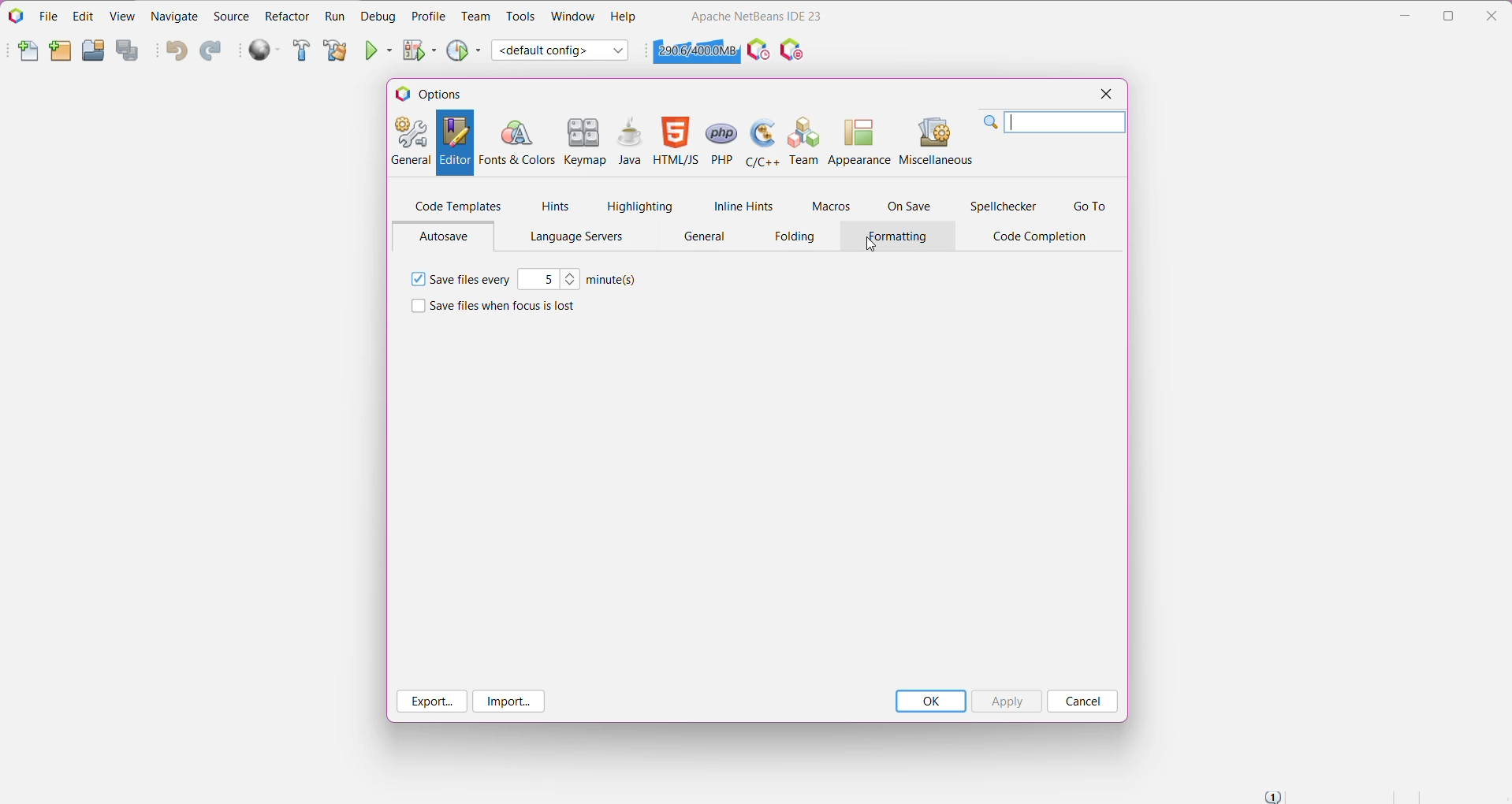 The height and width of the screenshot is (804, 1512). What do you see at coordinates (432, 702) in the screenshot?
I see `Export` at bounding box center [432, 702].